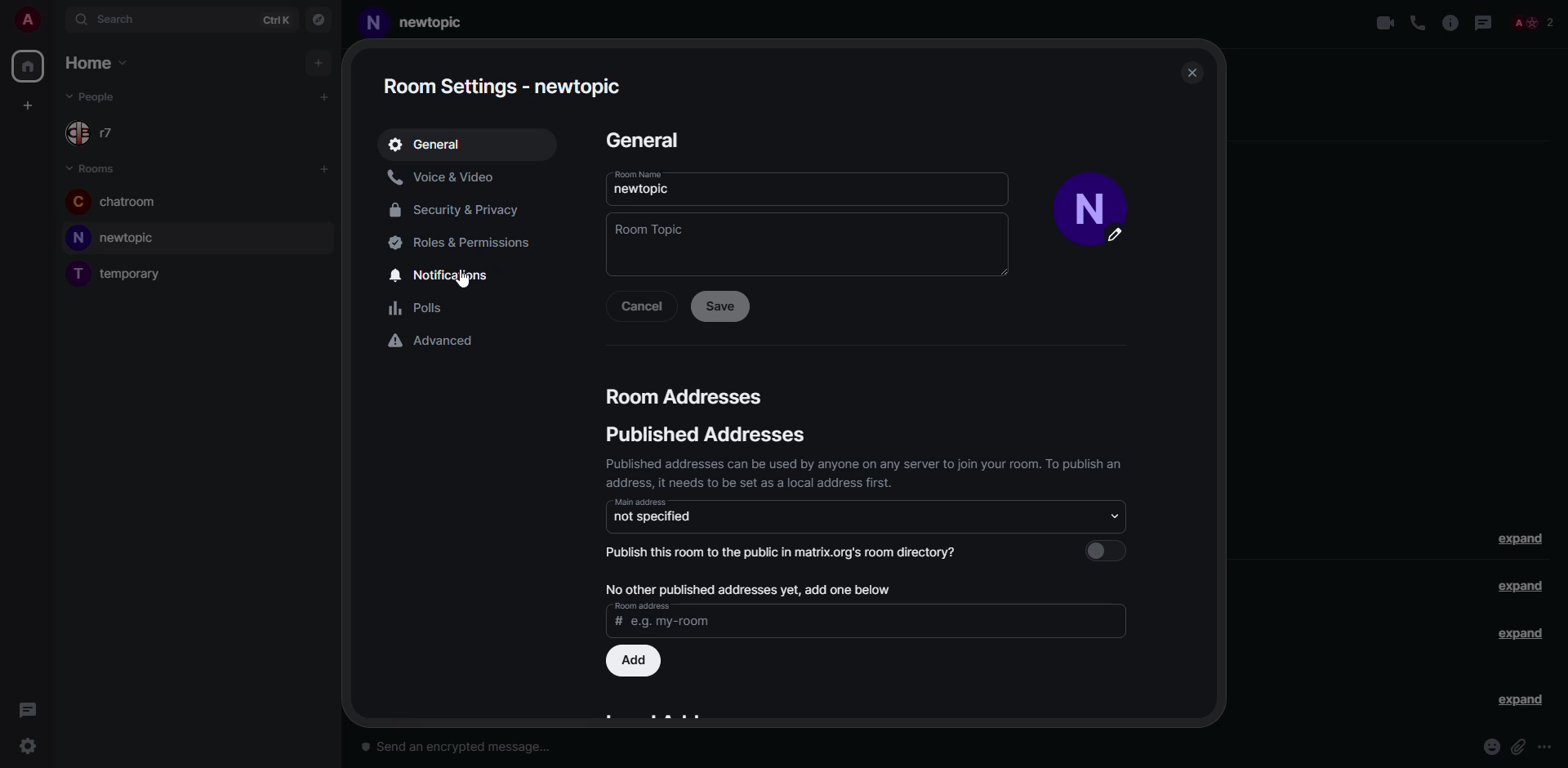 Image resolution: width=1568 pixels, height=768 pixels. What do you see at coordinates (118, 203) in the screenshot?
I see `chatroom` at bounding box center [118, 203].